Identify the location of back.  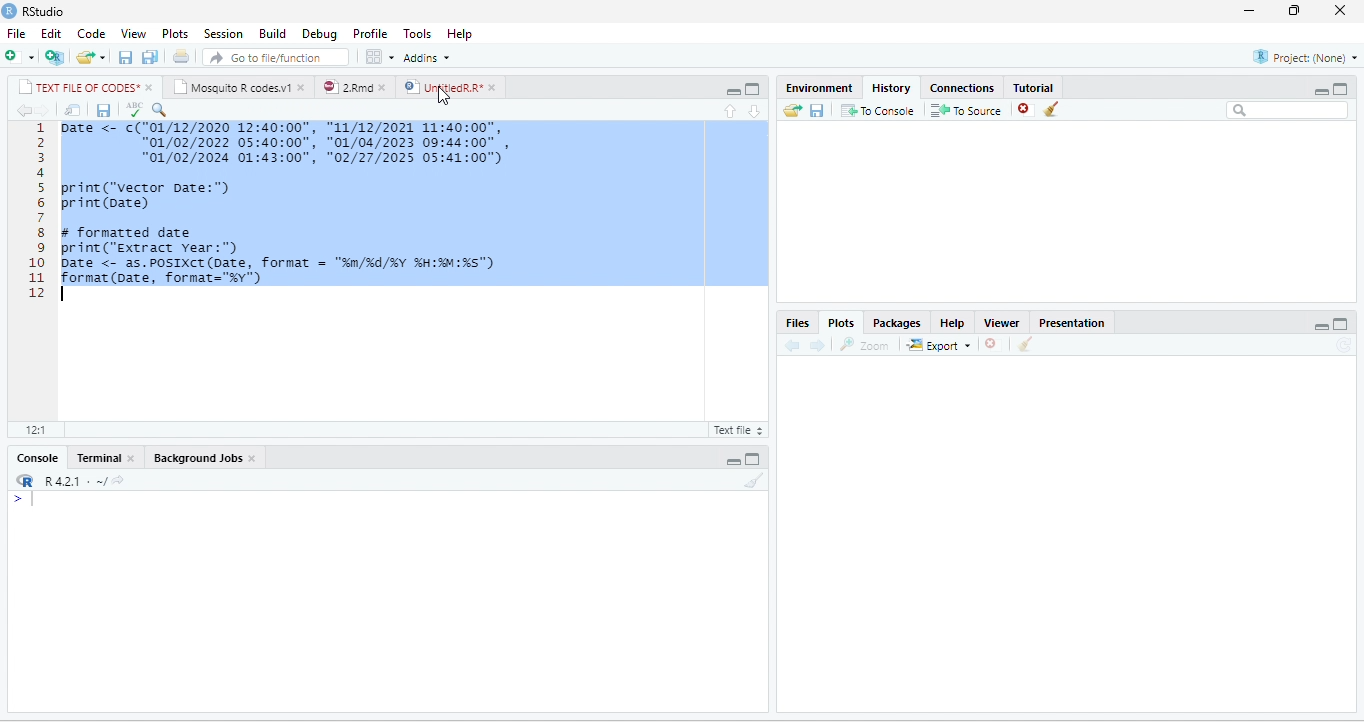
(23, 110).